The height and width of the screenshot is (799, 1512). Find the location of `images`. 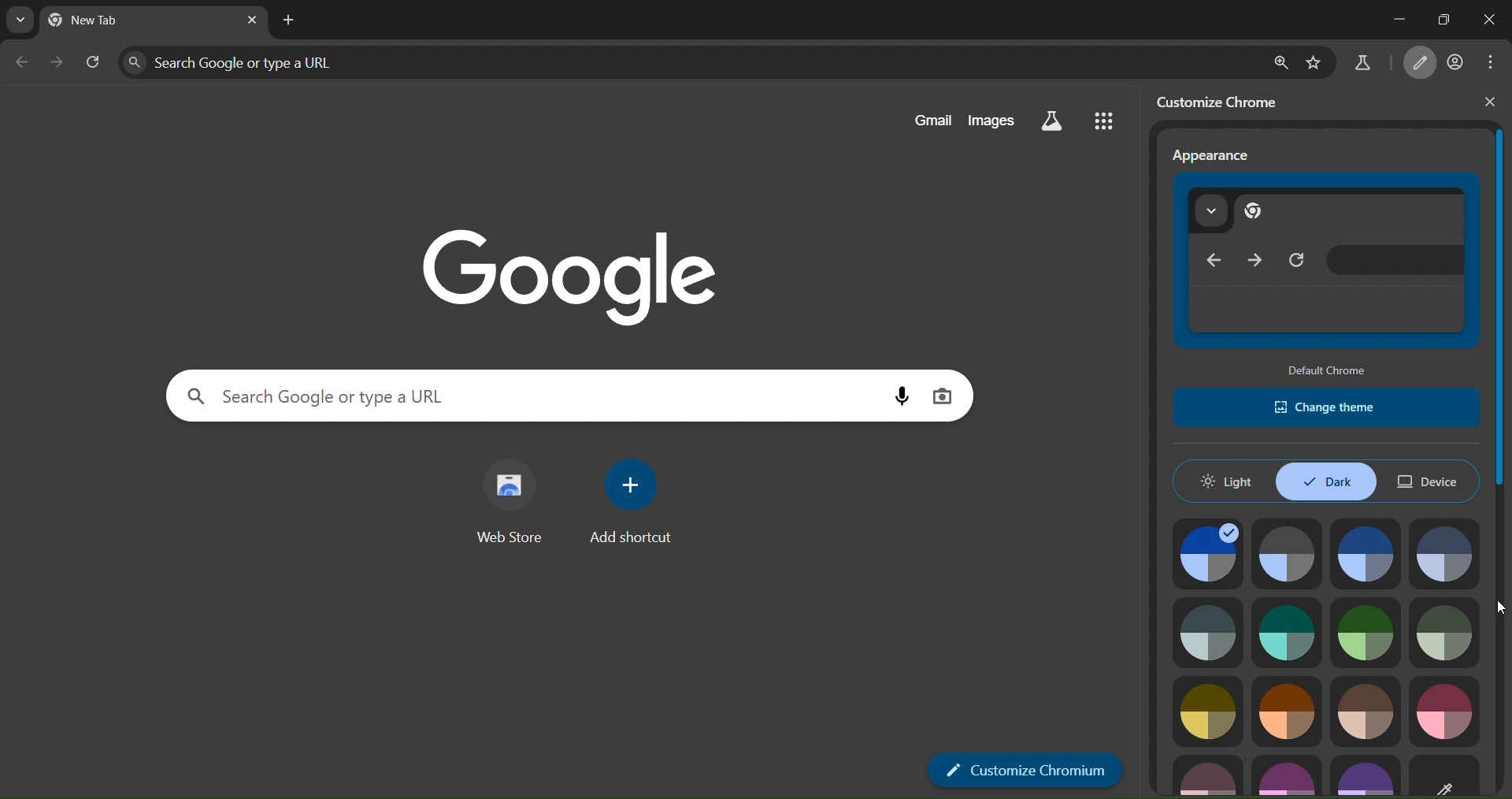

images is located at coordinates (995, 120).